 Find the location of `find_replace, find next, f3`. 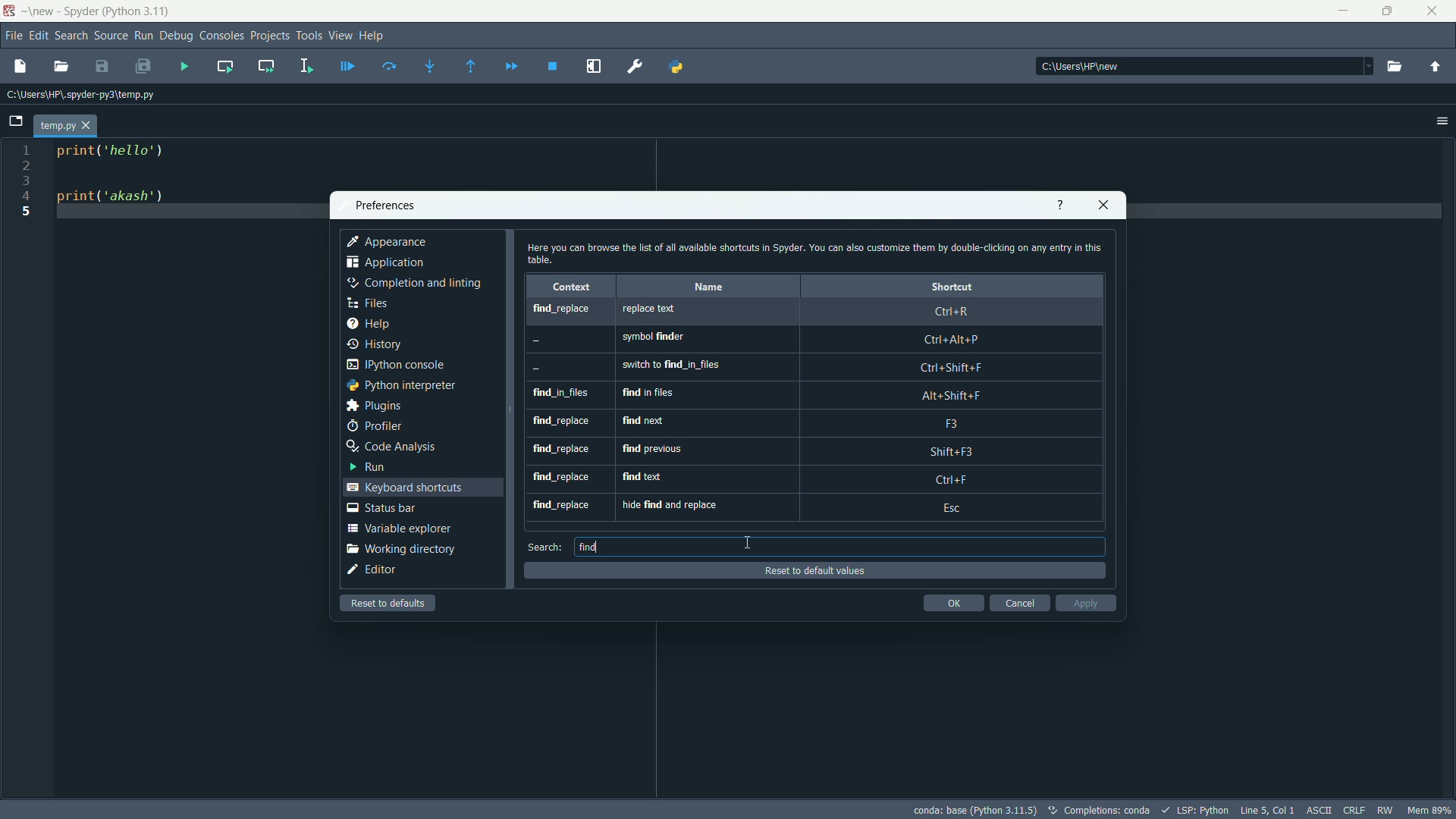

find_replace, find next, f3 is located at coordinates (803, 425).